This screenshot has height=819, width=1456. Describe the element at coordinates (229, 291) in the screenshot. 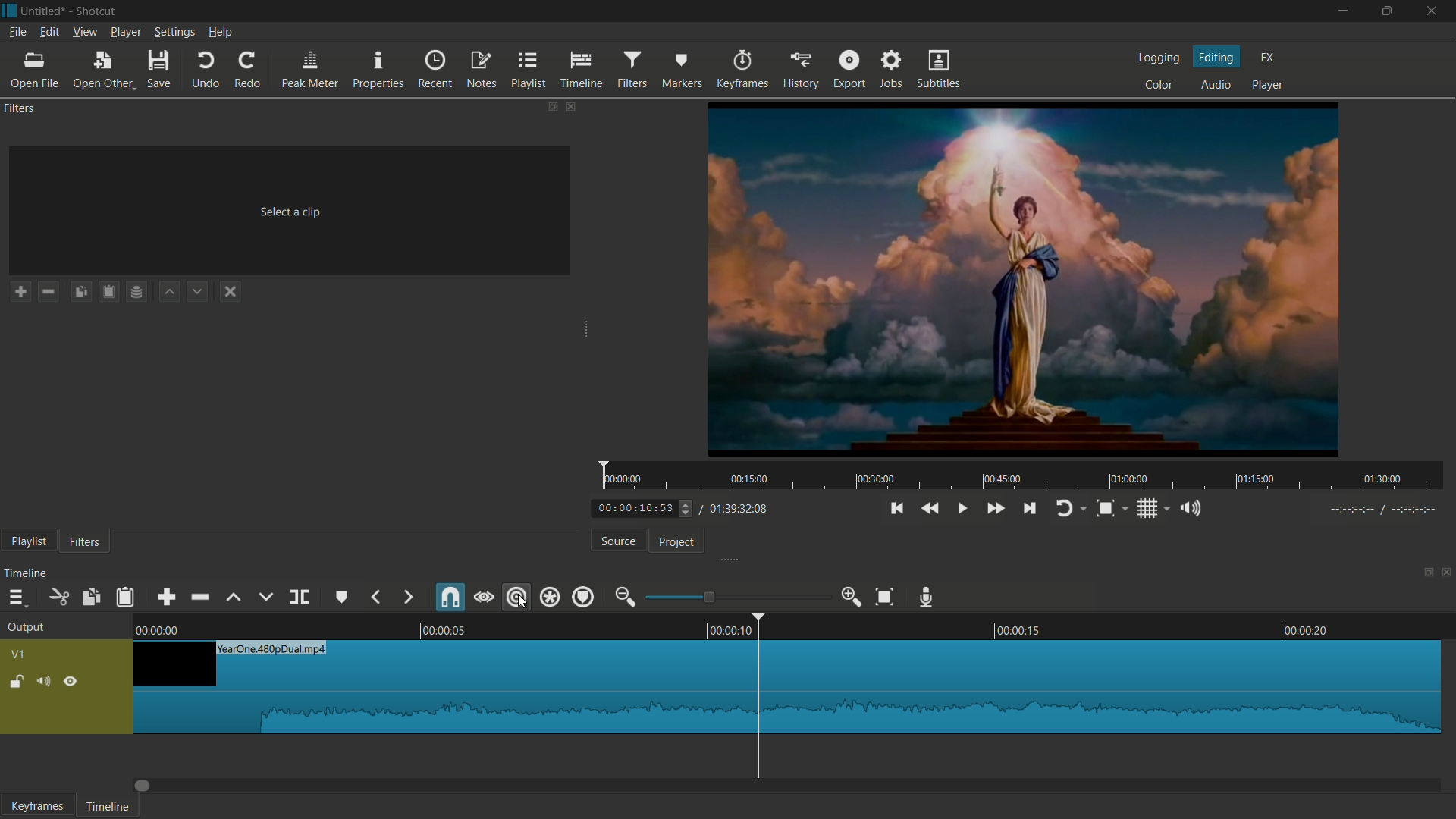

I see `deselect a filter` at that location.